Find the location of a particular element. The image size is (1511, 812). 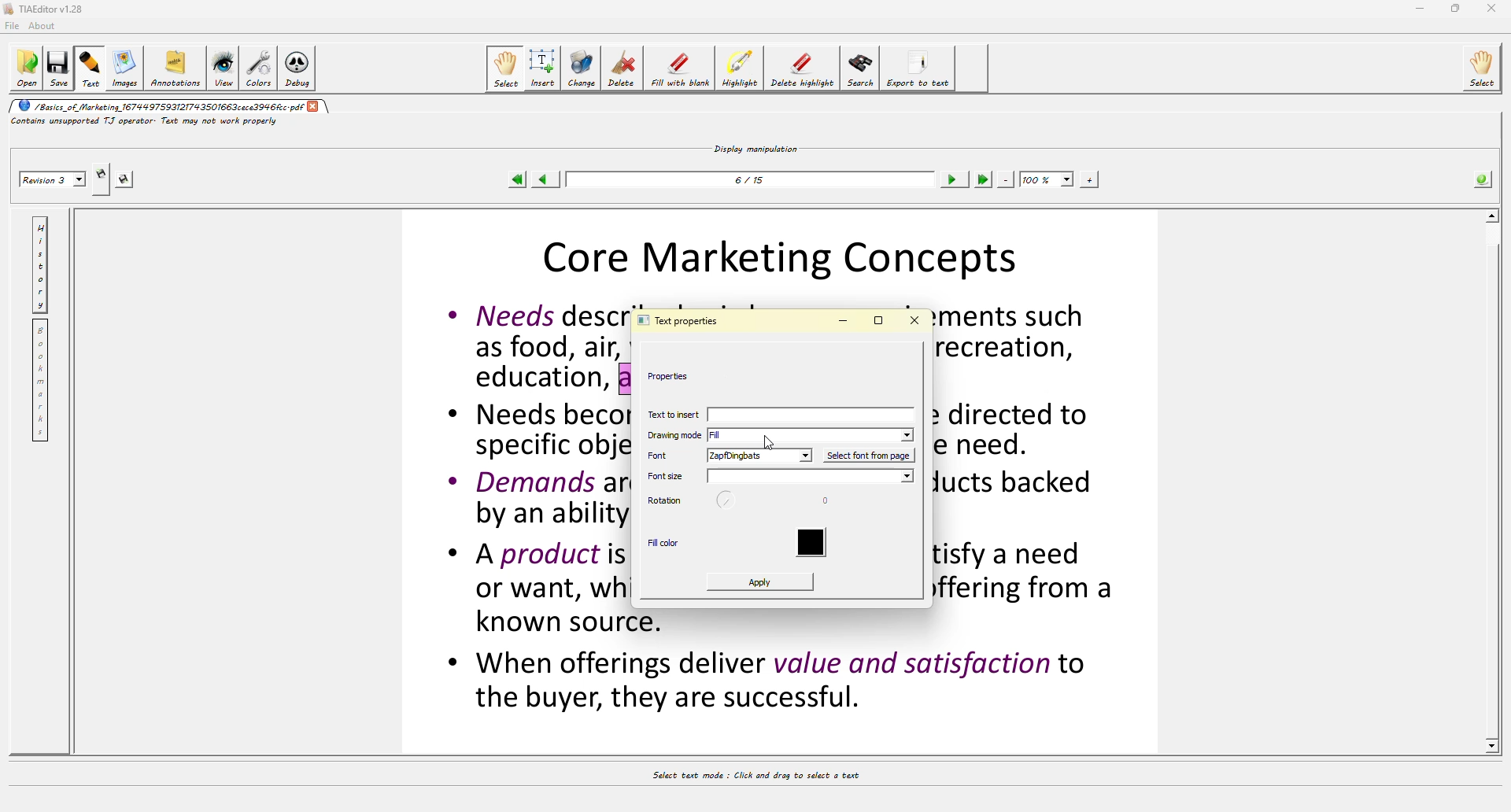

text properties is located at coordinates (683, 319).